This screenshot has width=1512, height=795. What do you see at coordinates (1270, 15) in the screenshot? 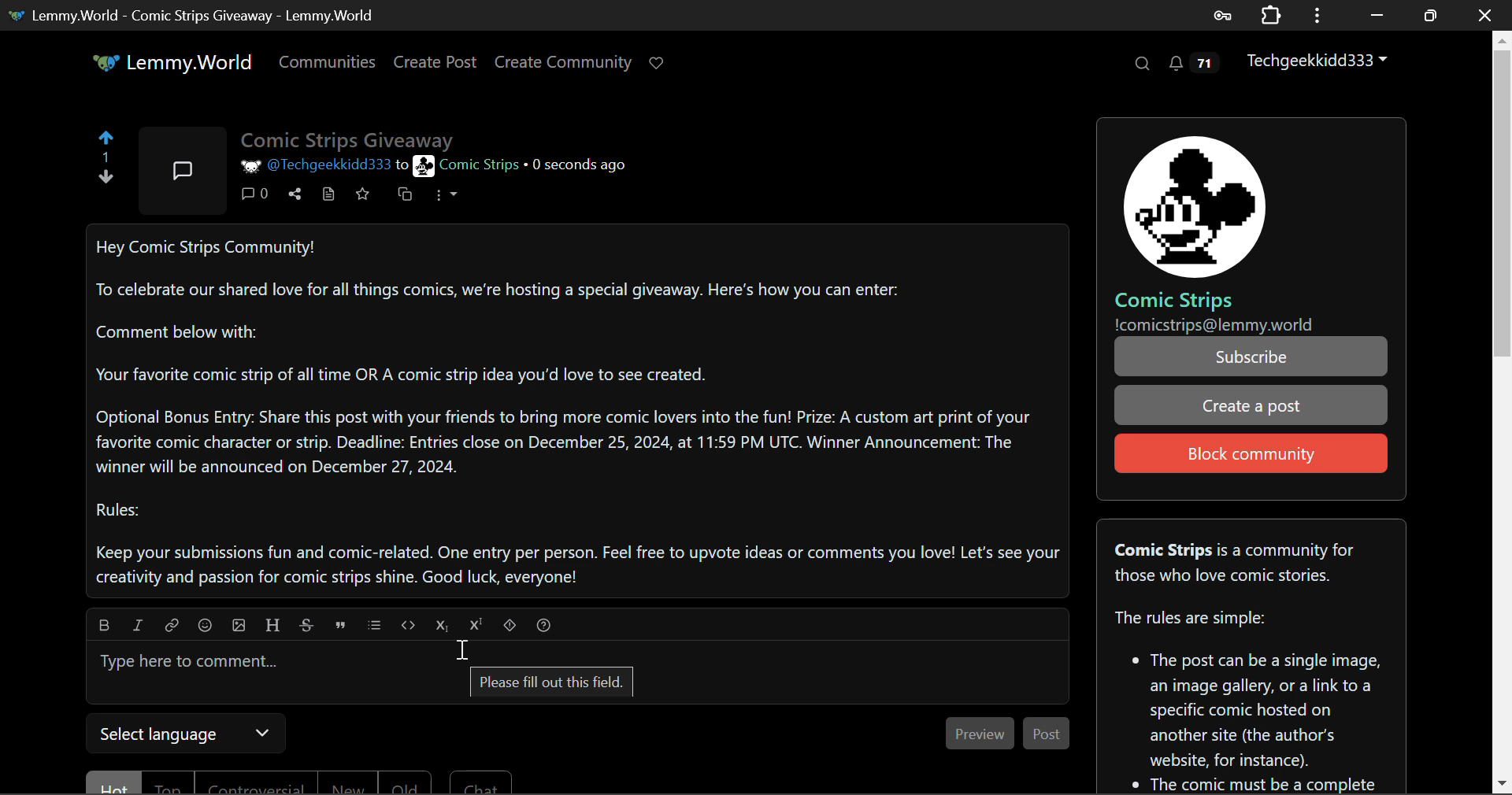
I see `Extensions` at bounding box center [1270, 15].